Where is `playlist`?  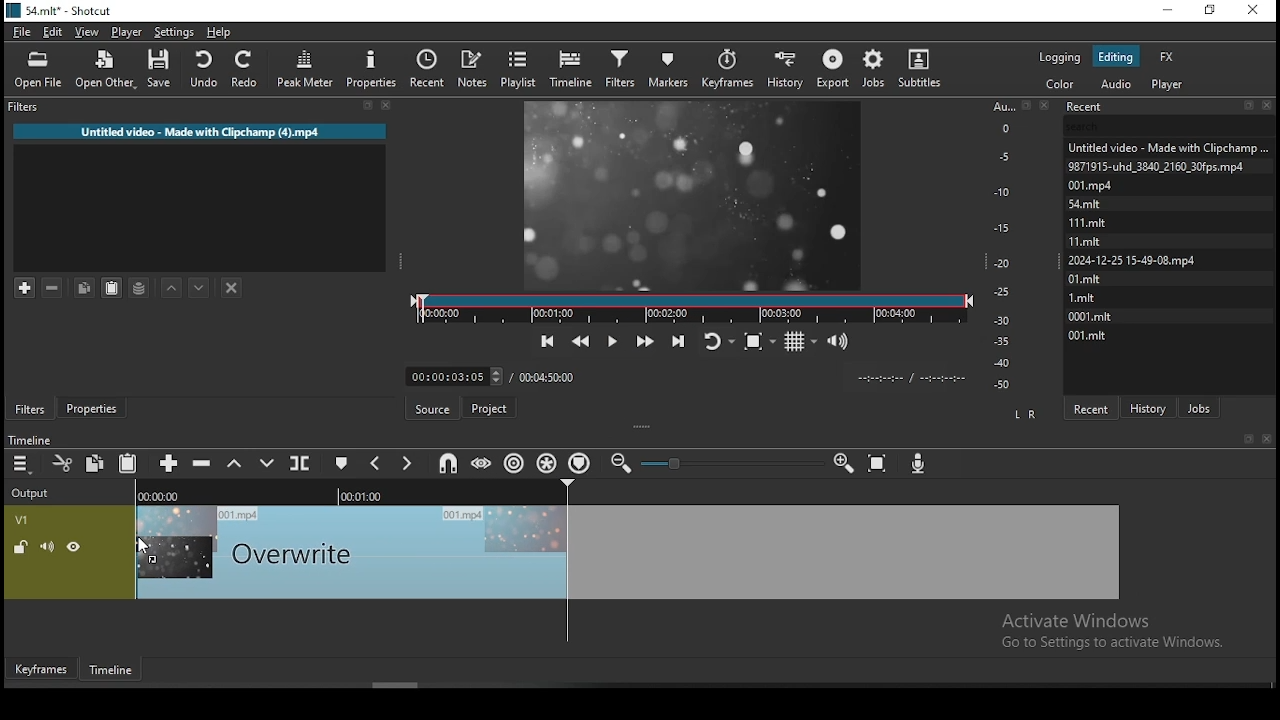
playlist is located at coordinates (518, 70).